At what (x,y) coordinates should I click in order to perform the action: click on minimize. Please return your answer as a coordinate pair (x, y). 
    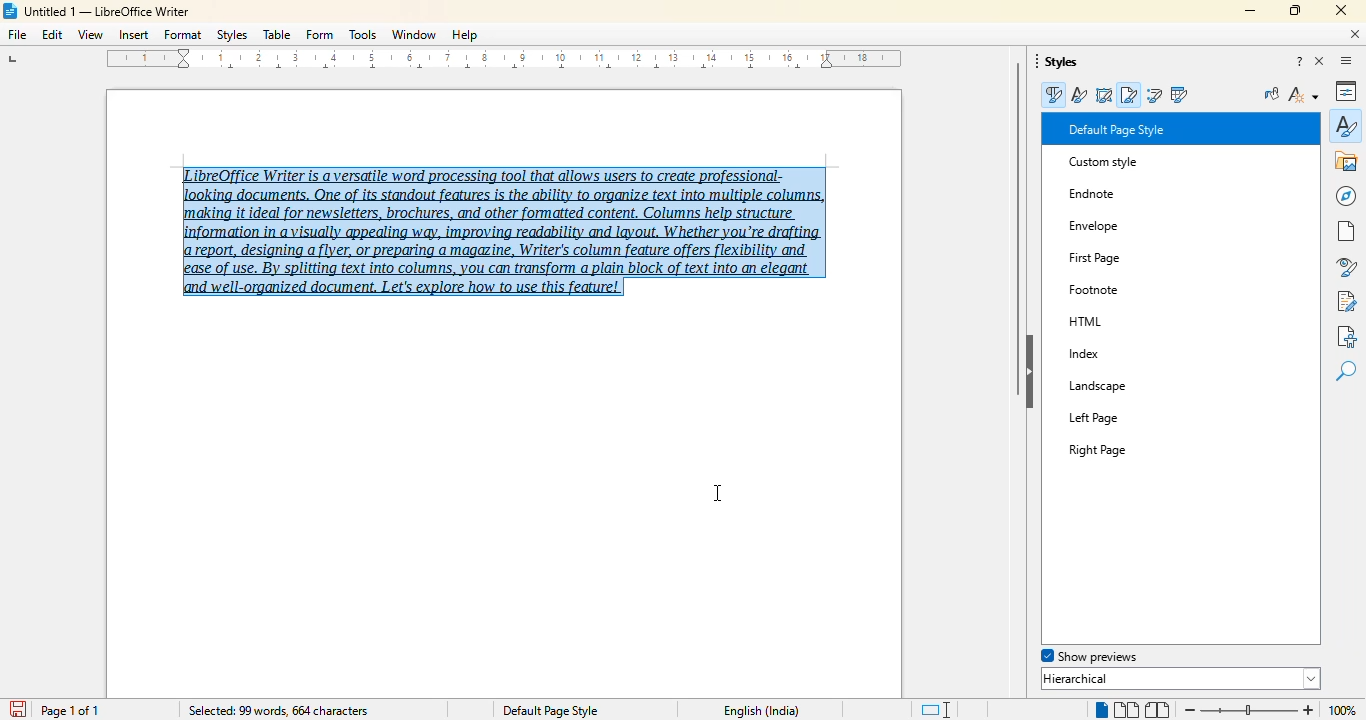
    Looking at the image, I should click on (1251, 10).